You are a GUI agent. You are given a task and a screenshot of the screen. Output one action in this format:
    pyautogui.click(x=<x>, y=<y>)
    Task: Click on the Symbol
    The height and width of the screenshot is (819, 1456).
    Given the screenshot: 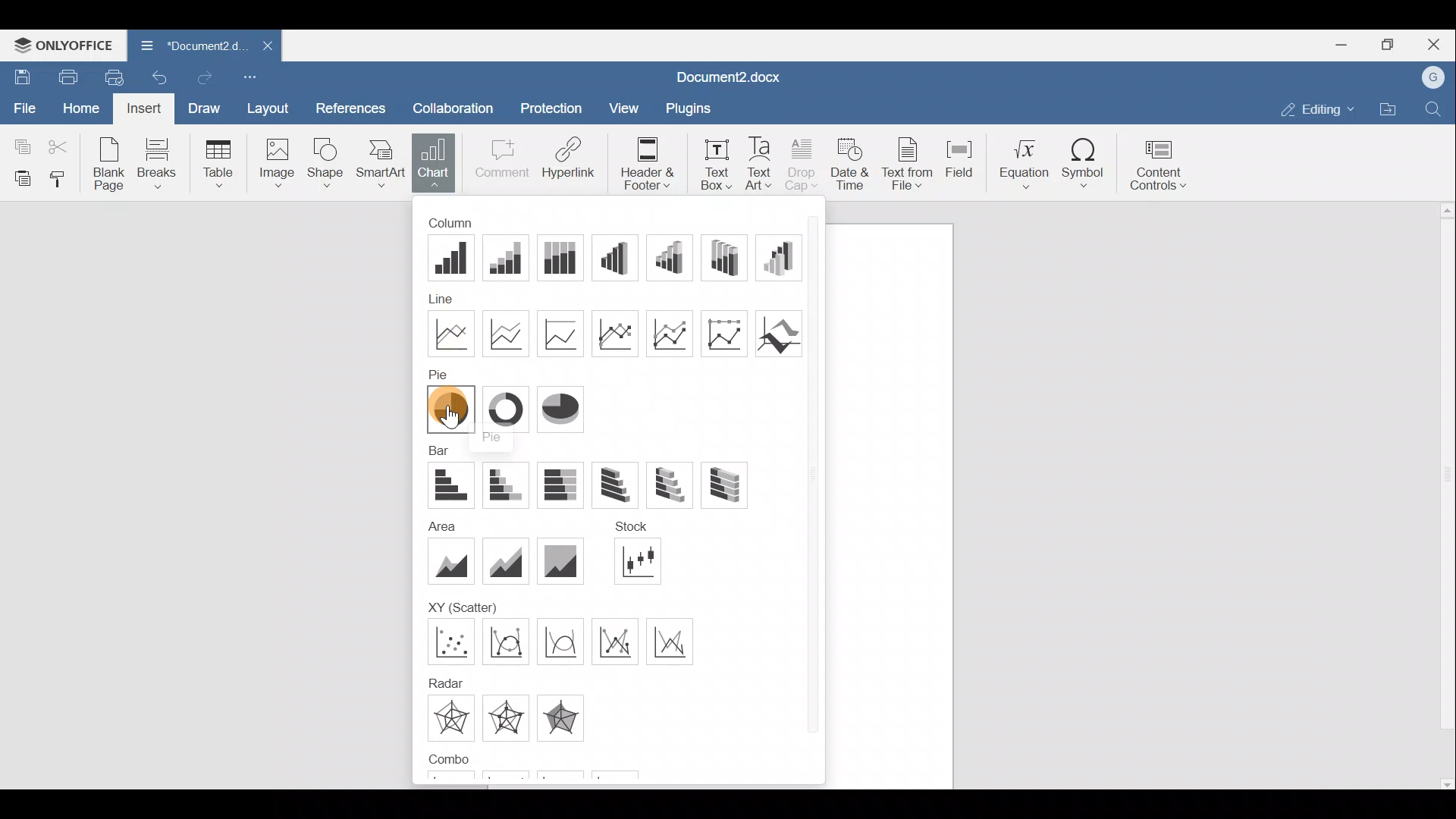 What is the action you would take?
    pyautogui.click(x=1088, y=163)
    